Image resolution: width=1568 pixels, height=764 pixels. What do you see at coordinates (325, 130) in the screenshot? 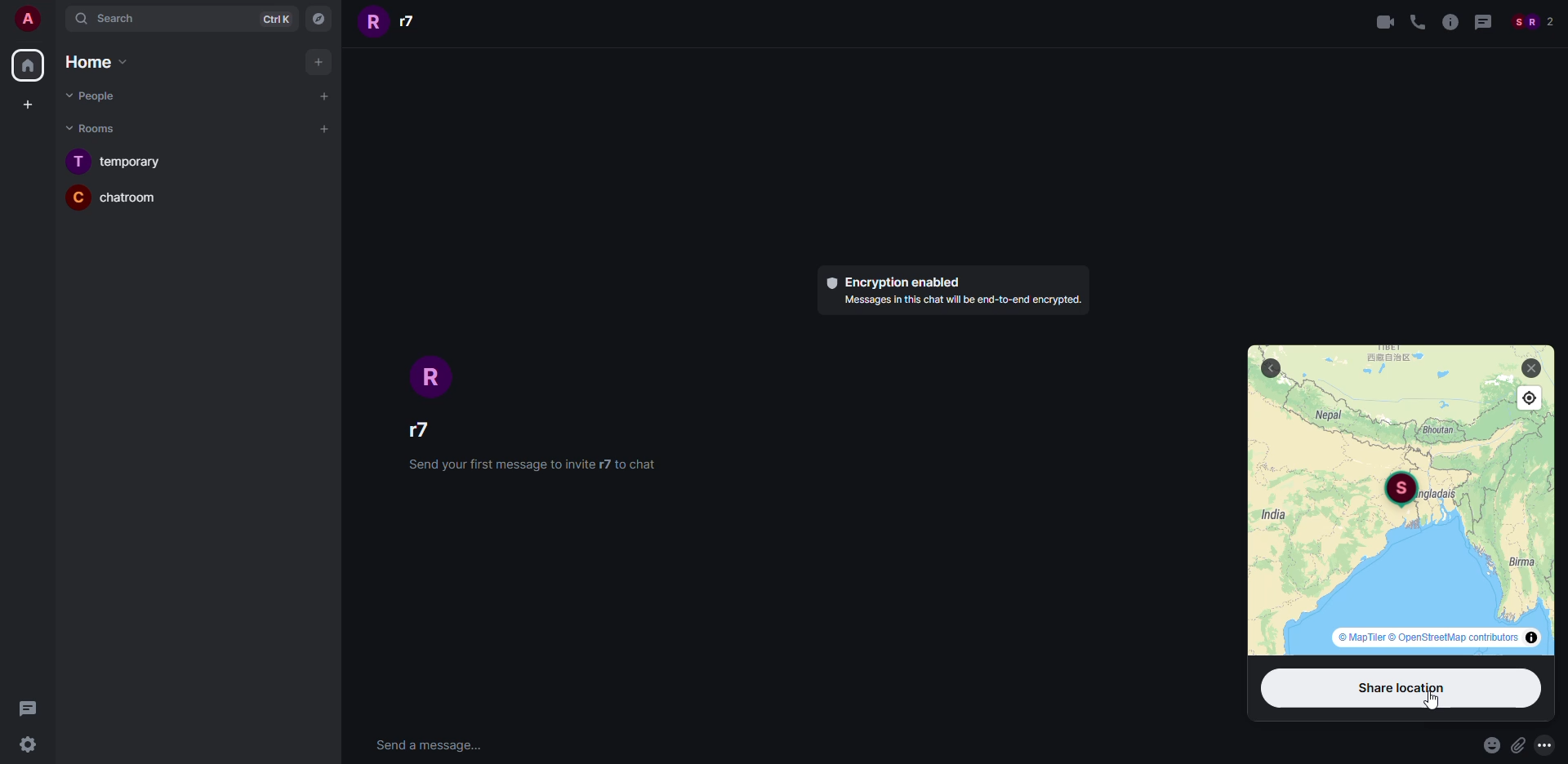
I see `New room` at bounding box center [325, 130].